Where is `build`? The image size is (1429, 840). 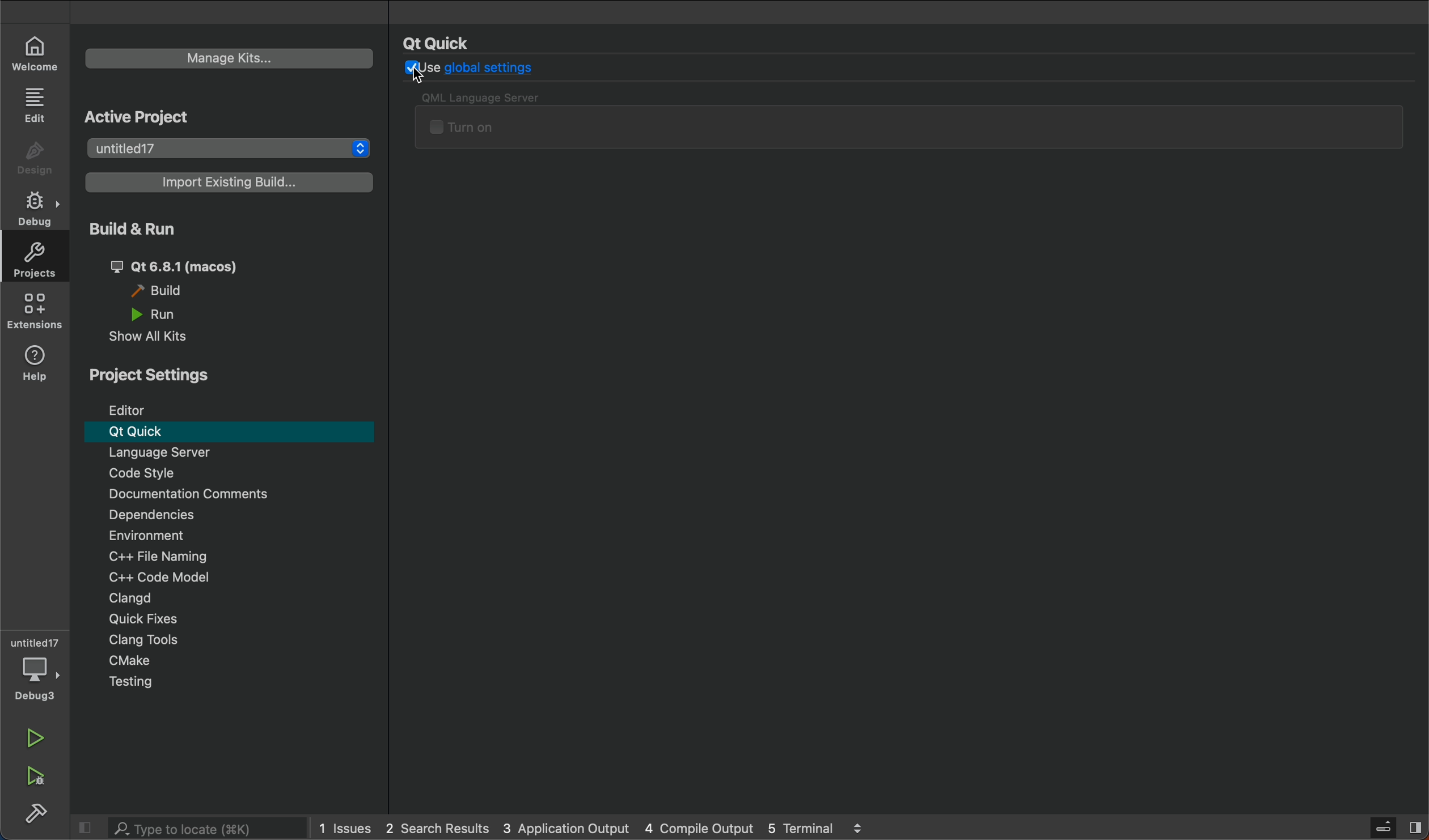 build is located at coordinates (172, 291).